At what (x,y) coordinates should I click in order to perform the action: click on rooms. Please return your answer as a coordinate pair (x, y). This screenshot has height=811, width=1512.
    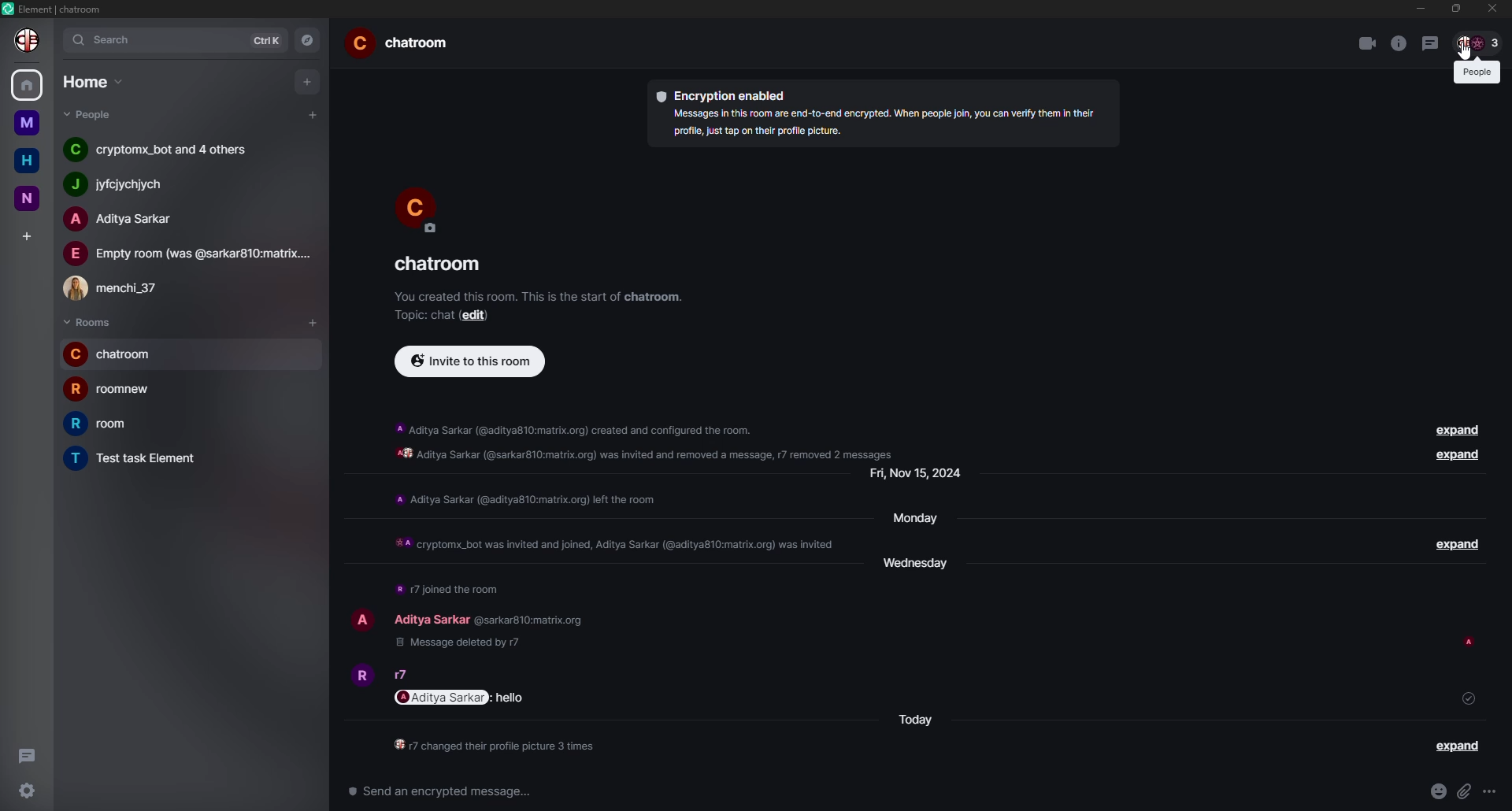
    Looking at the image, I should click on (88, 323).